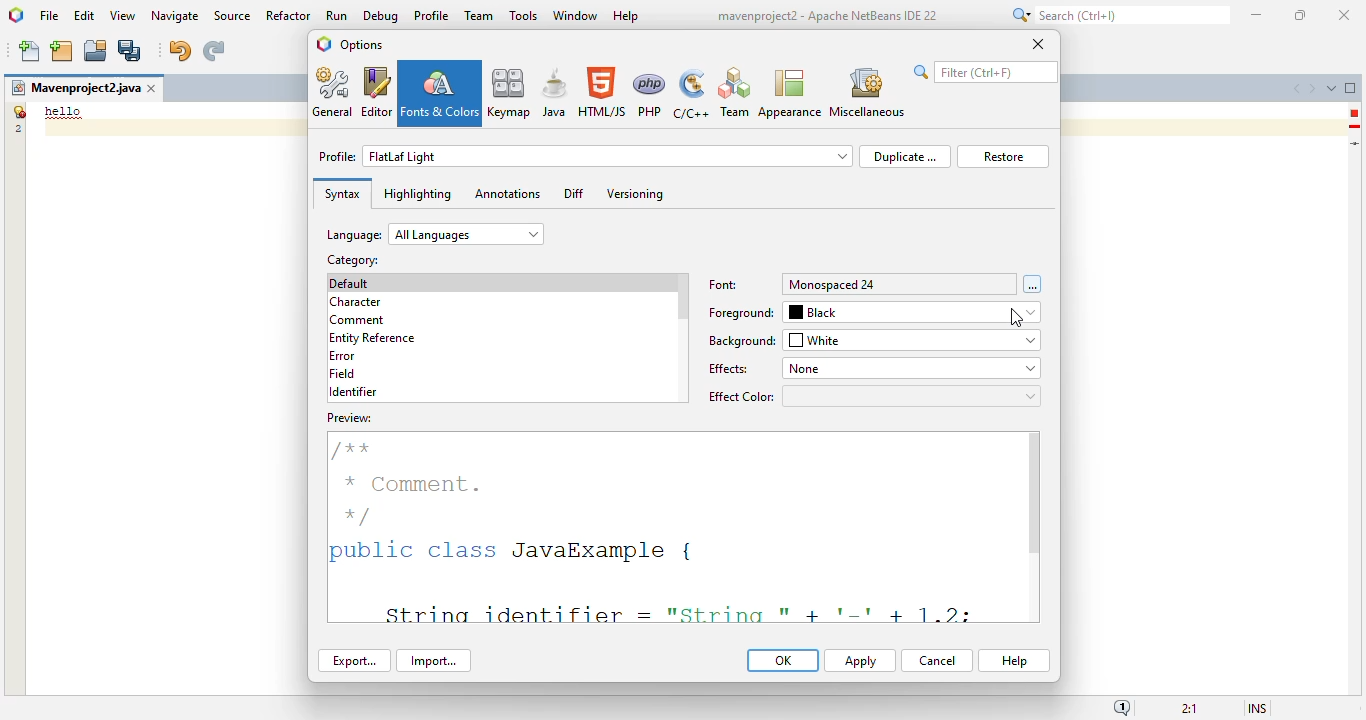 This screenshot has height=720, width=1366. What do you see at coordinates (603, 92) in the screenshot?
I see `HTML/JS` at bounding box center [603, 92].